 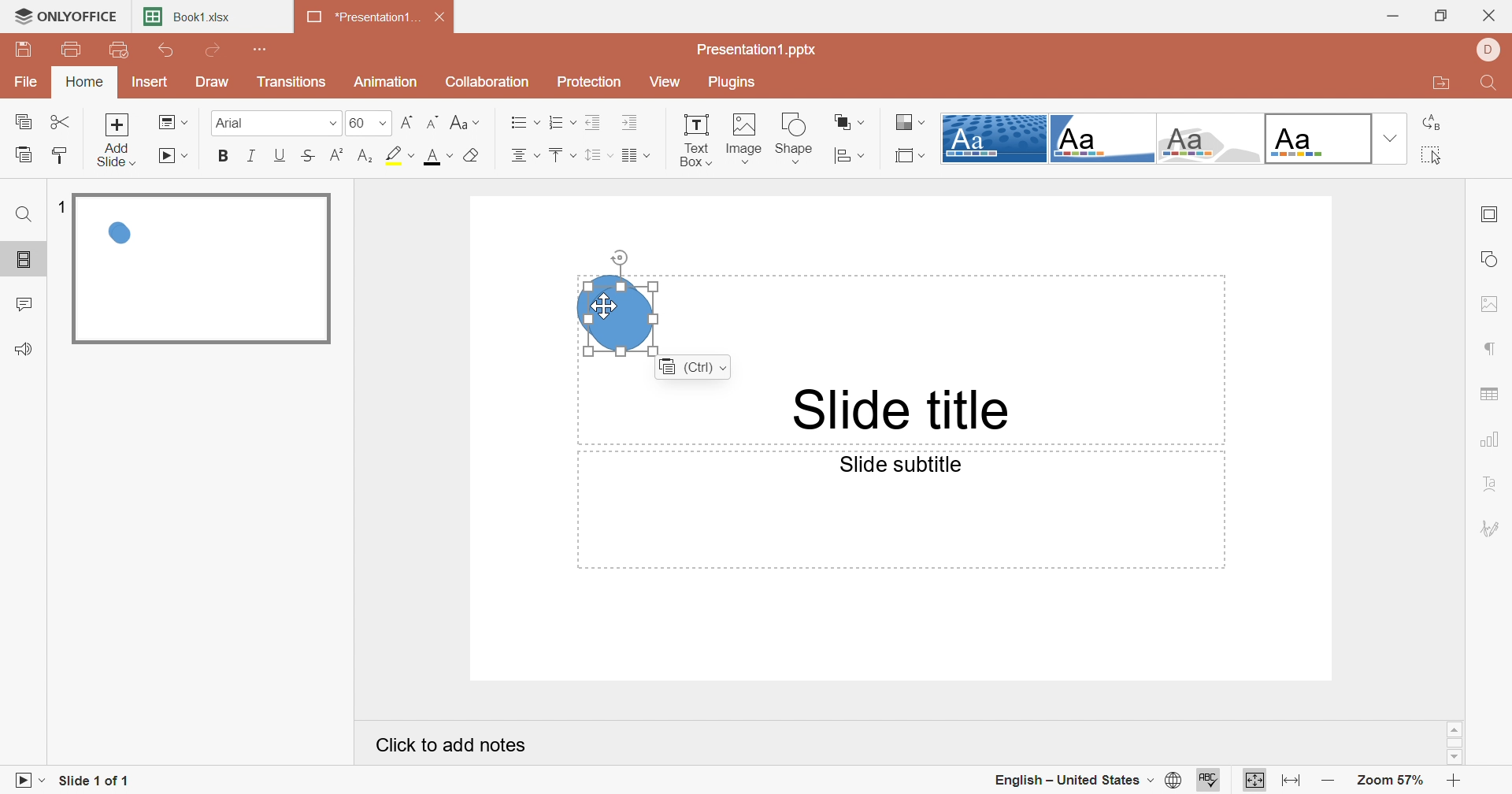 I want to click on Fit to width, so click(x=1291, y=783).